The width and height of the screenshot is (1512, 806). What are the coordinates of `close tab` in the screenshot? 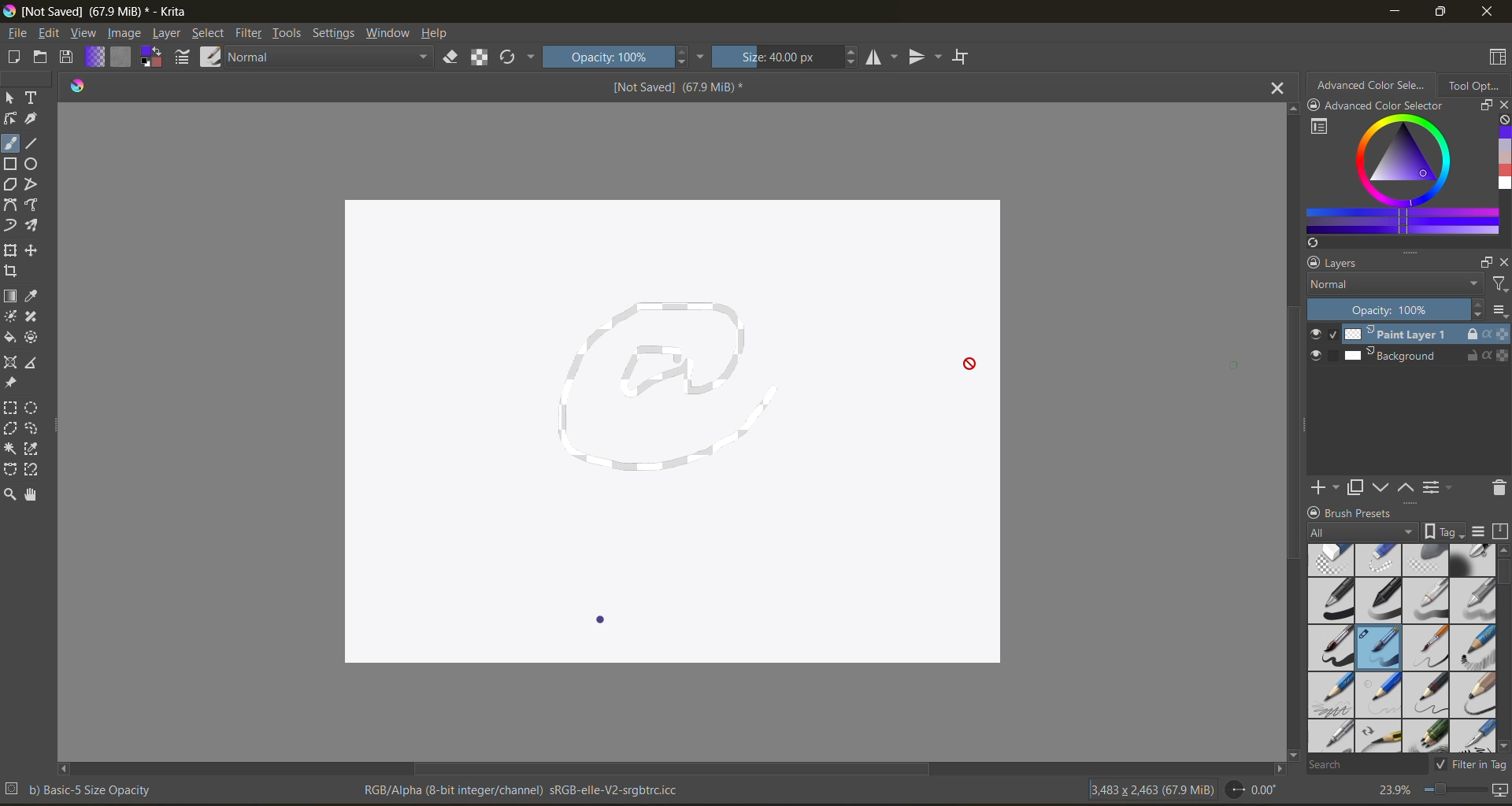 It's located at (1280, 87).